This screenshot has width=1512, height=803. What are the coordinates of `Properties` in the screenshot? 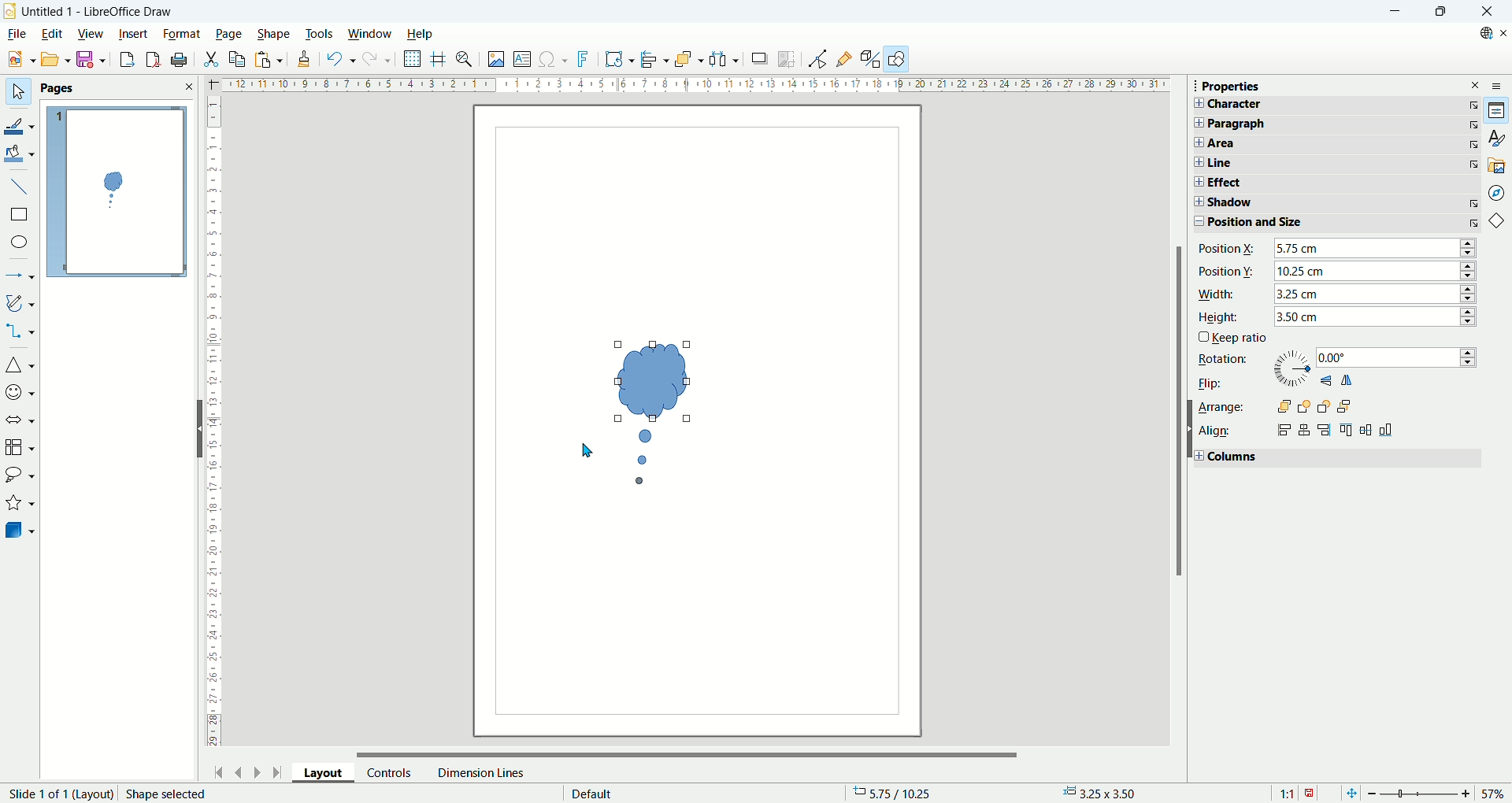 It's located at (1231, 87).